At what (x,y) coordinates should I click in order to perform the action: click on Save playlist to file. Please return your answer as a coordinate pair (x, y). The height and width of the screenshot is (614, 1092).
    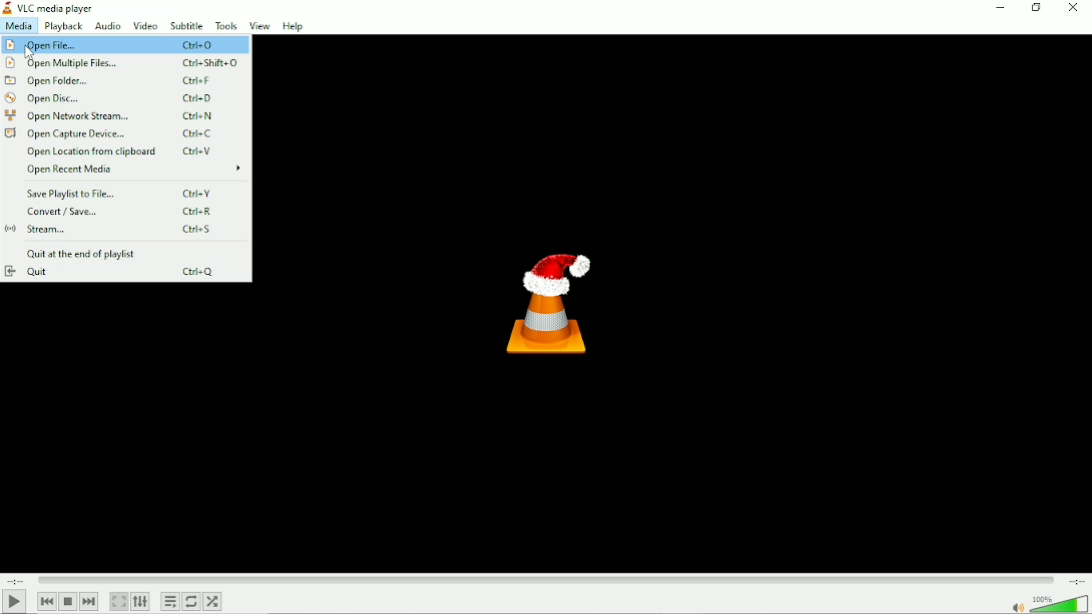
    Looking at the image, I should click on (121, 193).